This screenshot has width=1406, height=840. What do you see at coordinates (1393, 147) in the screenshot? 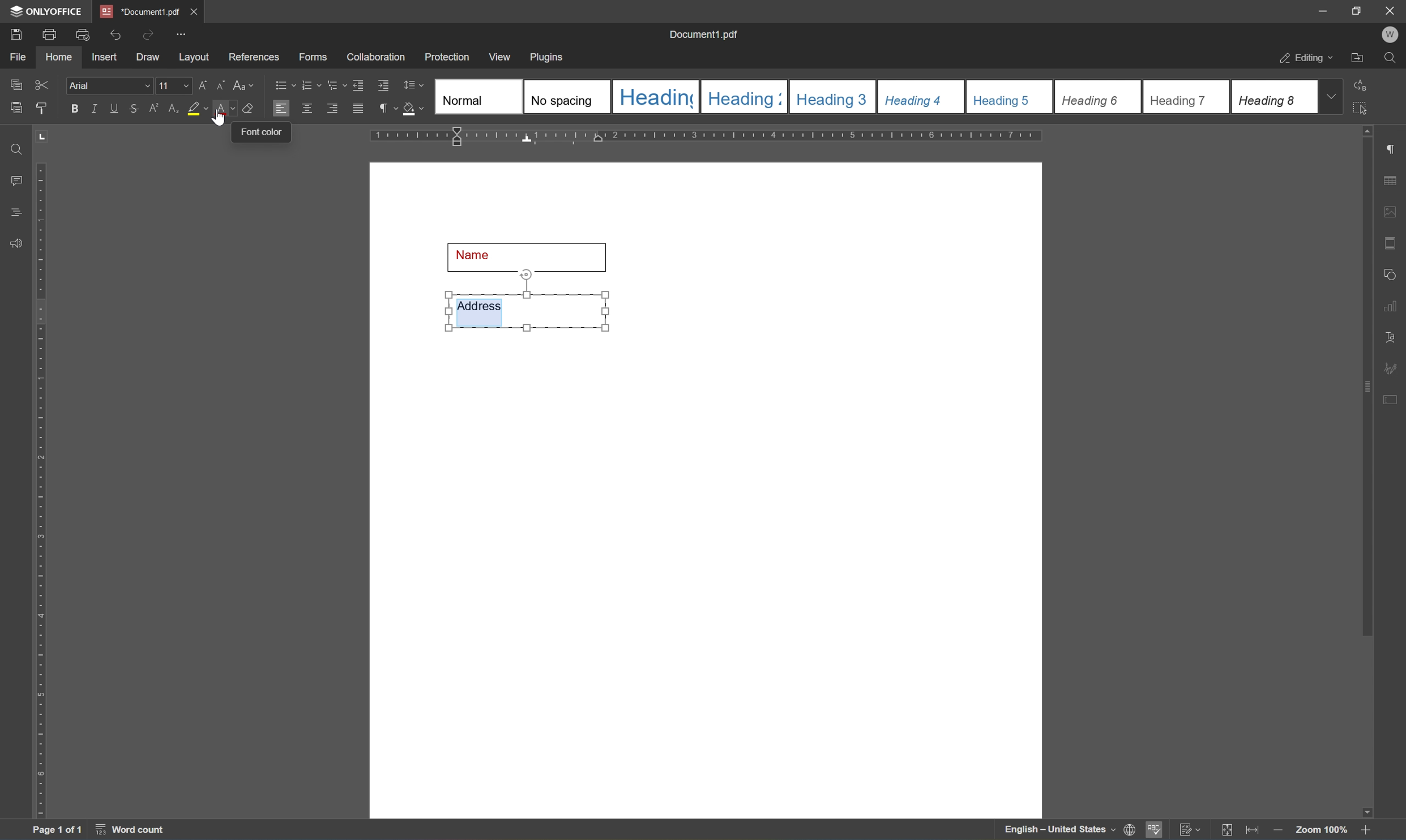
I see `paragraph settings` at bounding box center [1393, 147].